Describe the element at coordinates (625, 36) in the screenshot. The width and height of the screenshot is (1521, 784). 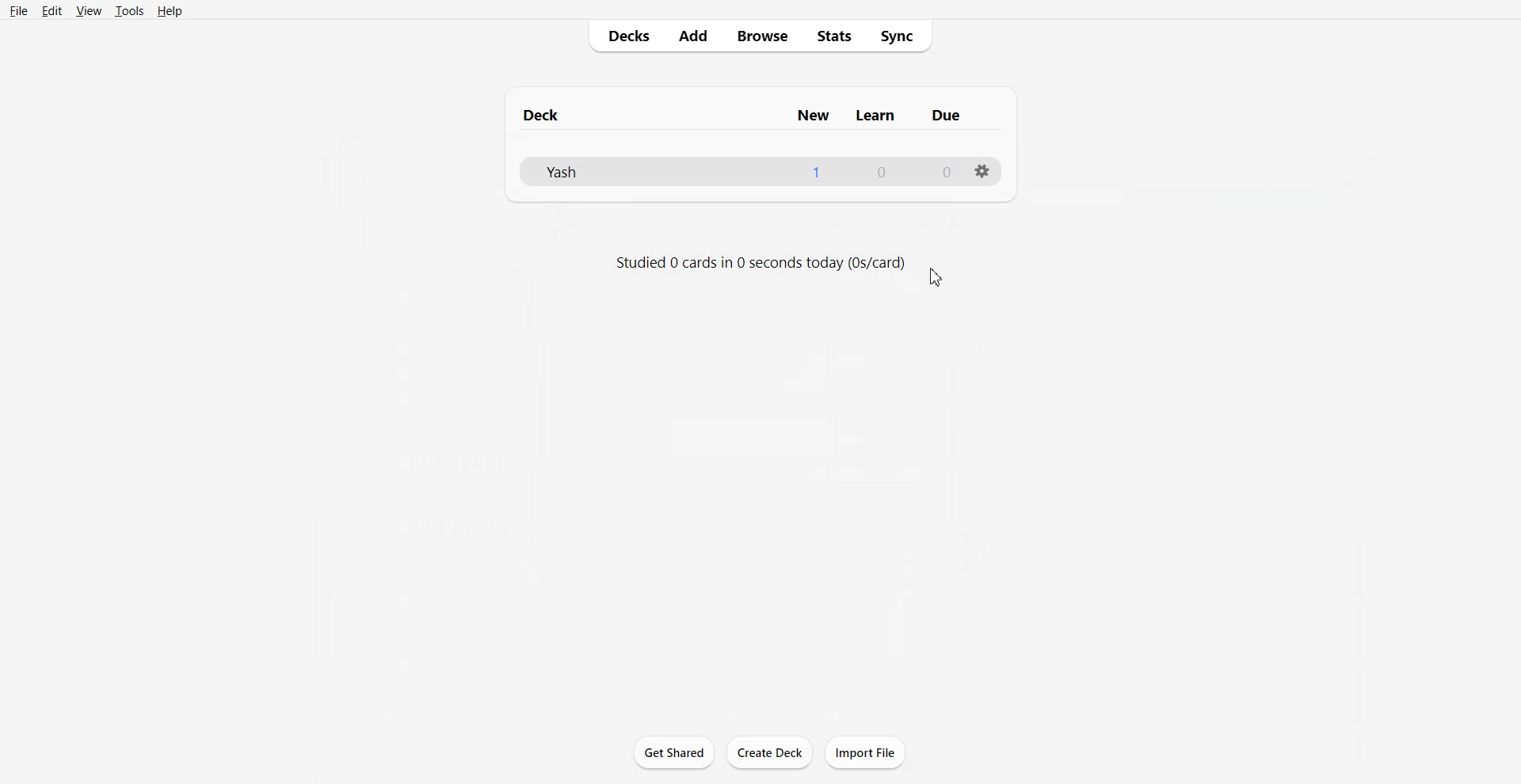
I see `Decks` at that location.